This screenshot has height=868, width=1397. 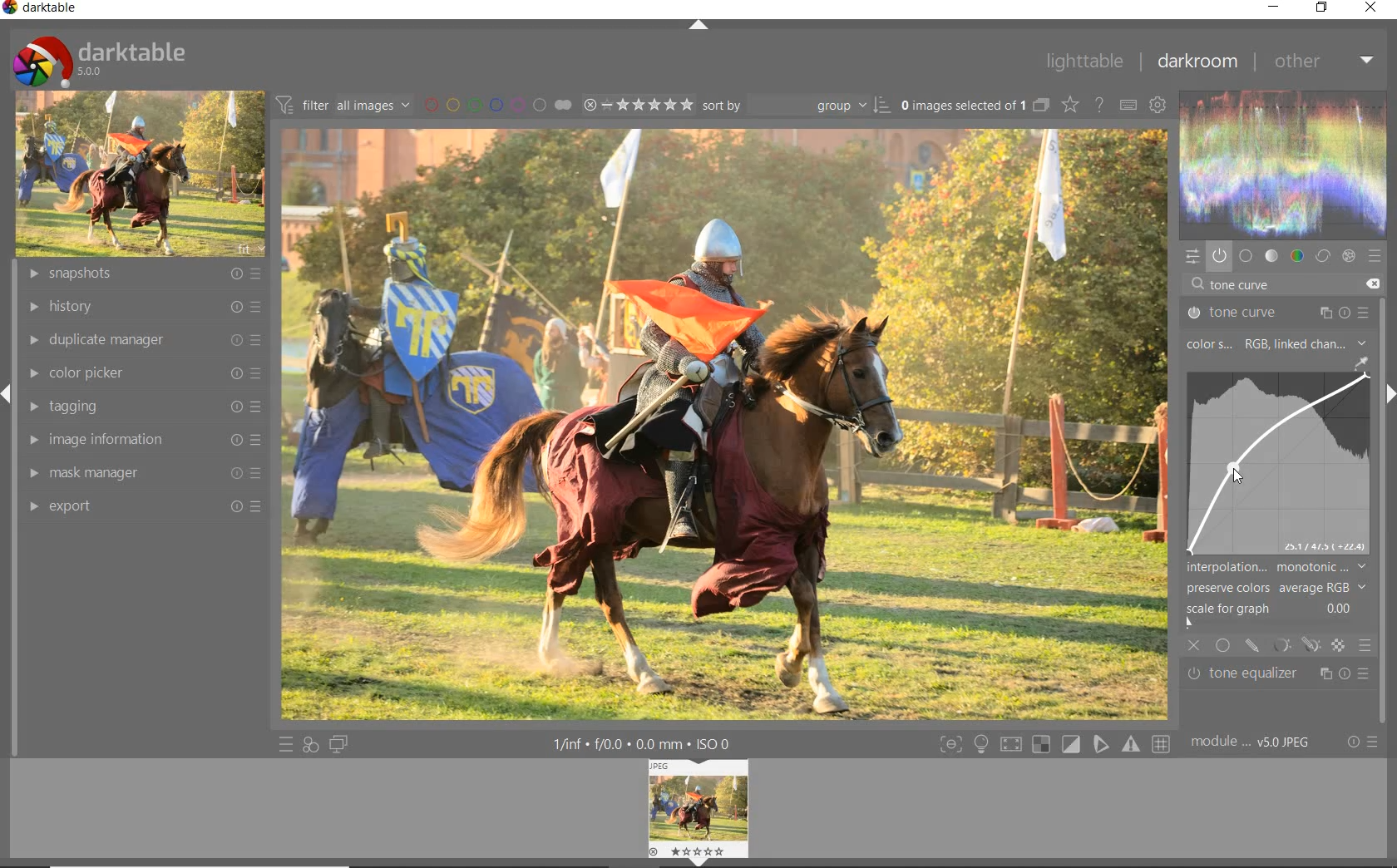 I want to click on mask manager, so click(x=141, y=475).